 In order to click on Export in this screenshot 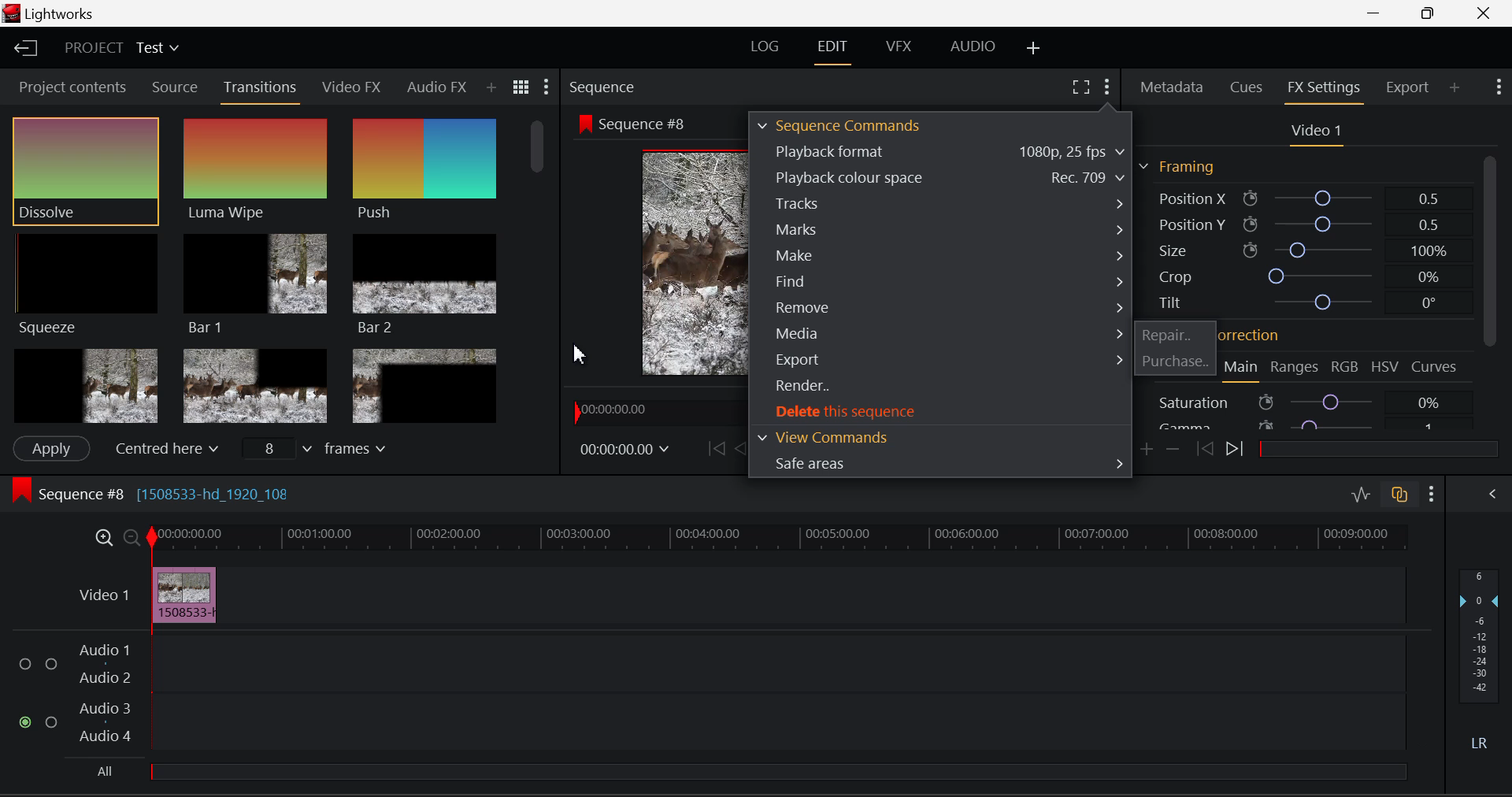, I will do `click(1405, 87)`.